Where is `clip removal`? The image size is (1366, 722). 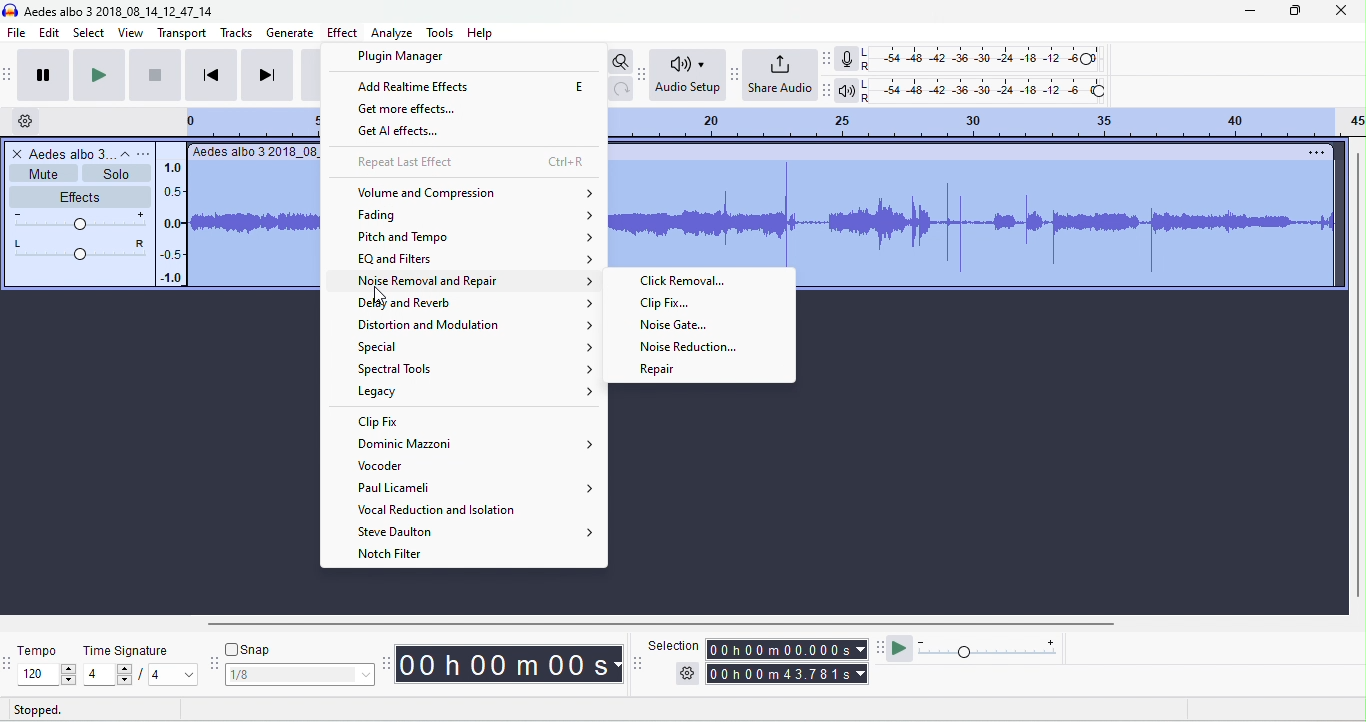
clip removal is located at coordinates (700, 282).